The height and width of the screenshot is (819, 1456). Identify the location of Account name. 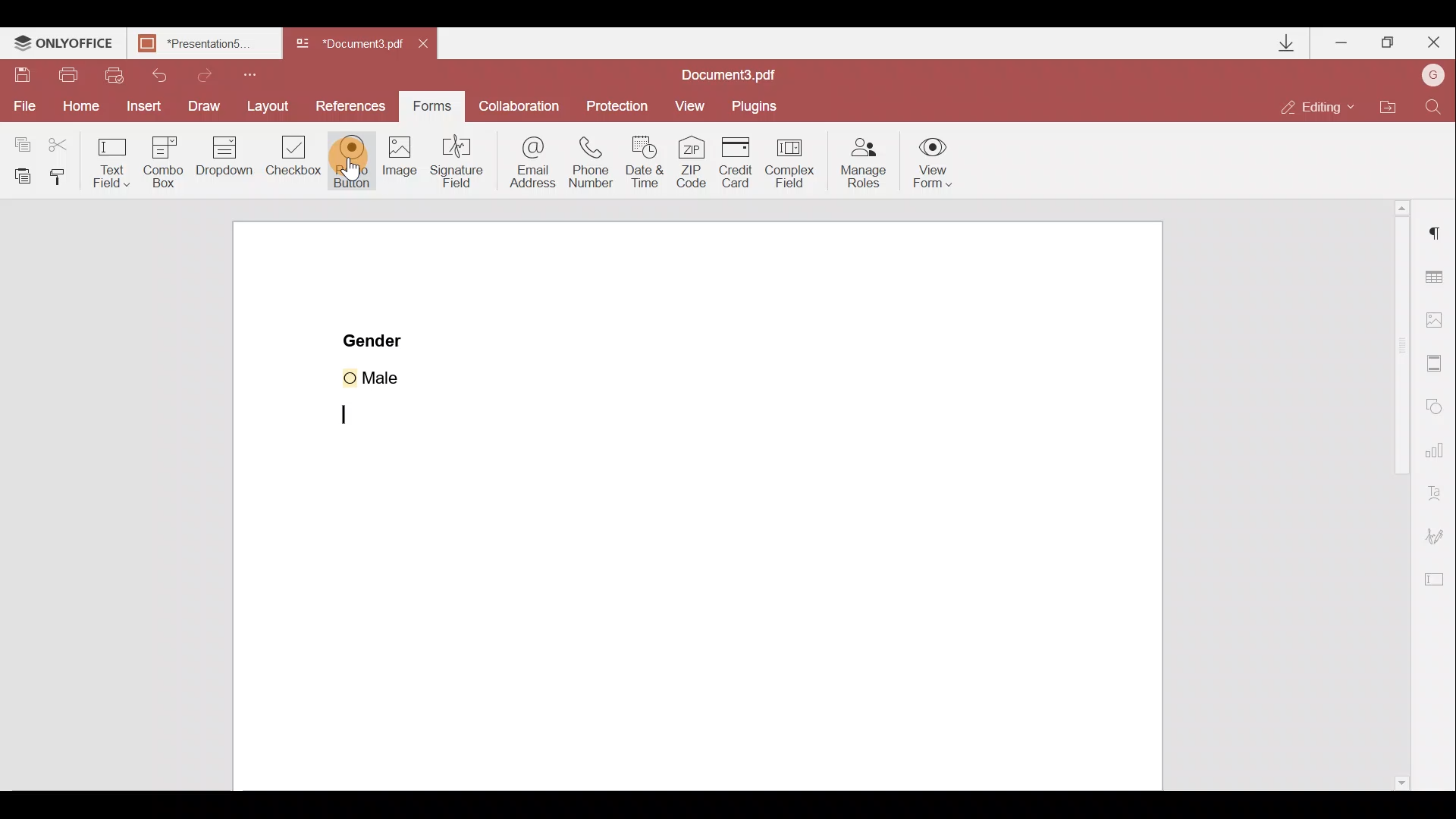
(1433, 75).